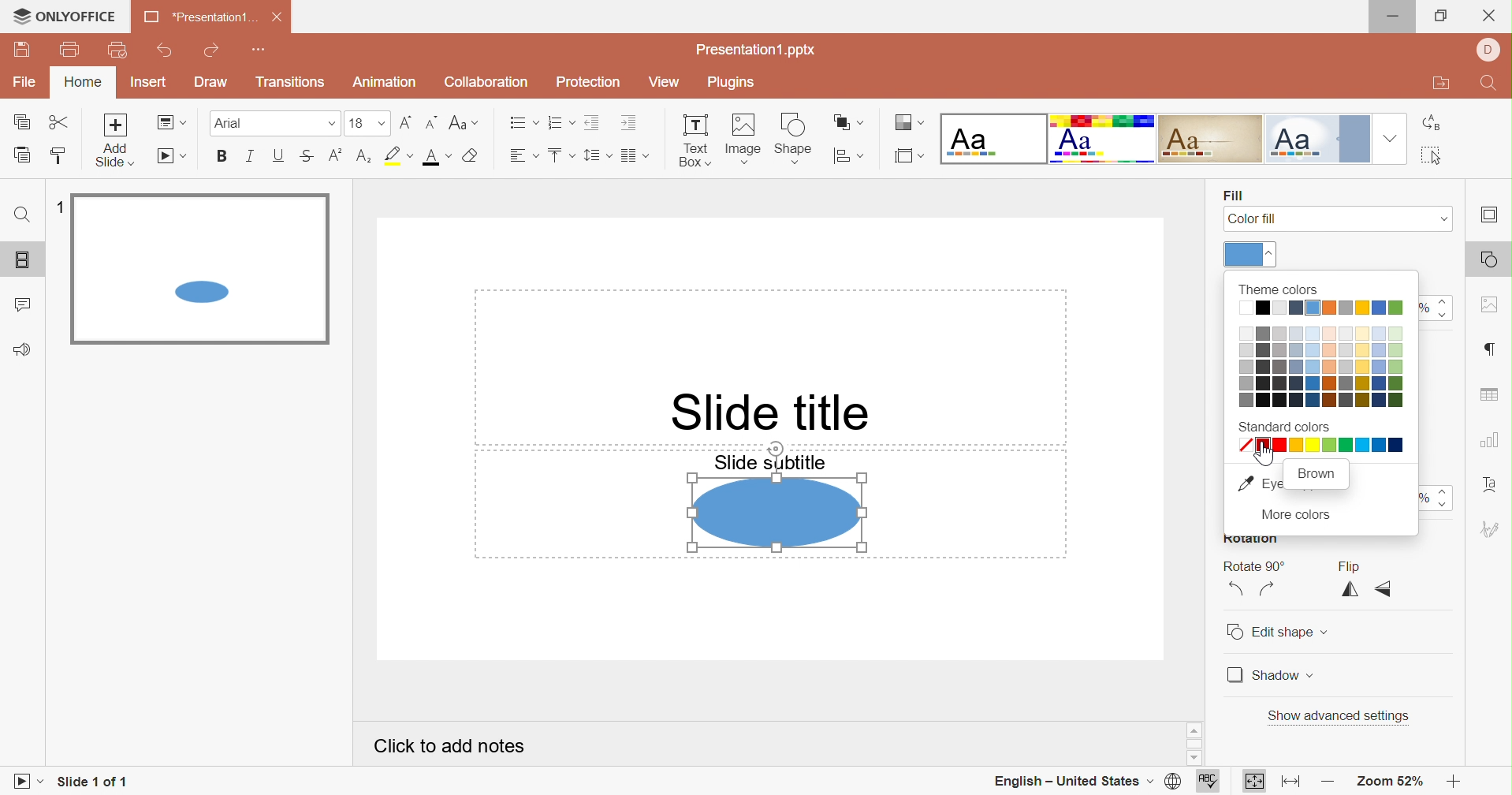  What do you see at coordinates (735, 82) in the screenshot?
I see `Plugins` at bounding box center [735, 82].